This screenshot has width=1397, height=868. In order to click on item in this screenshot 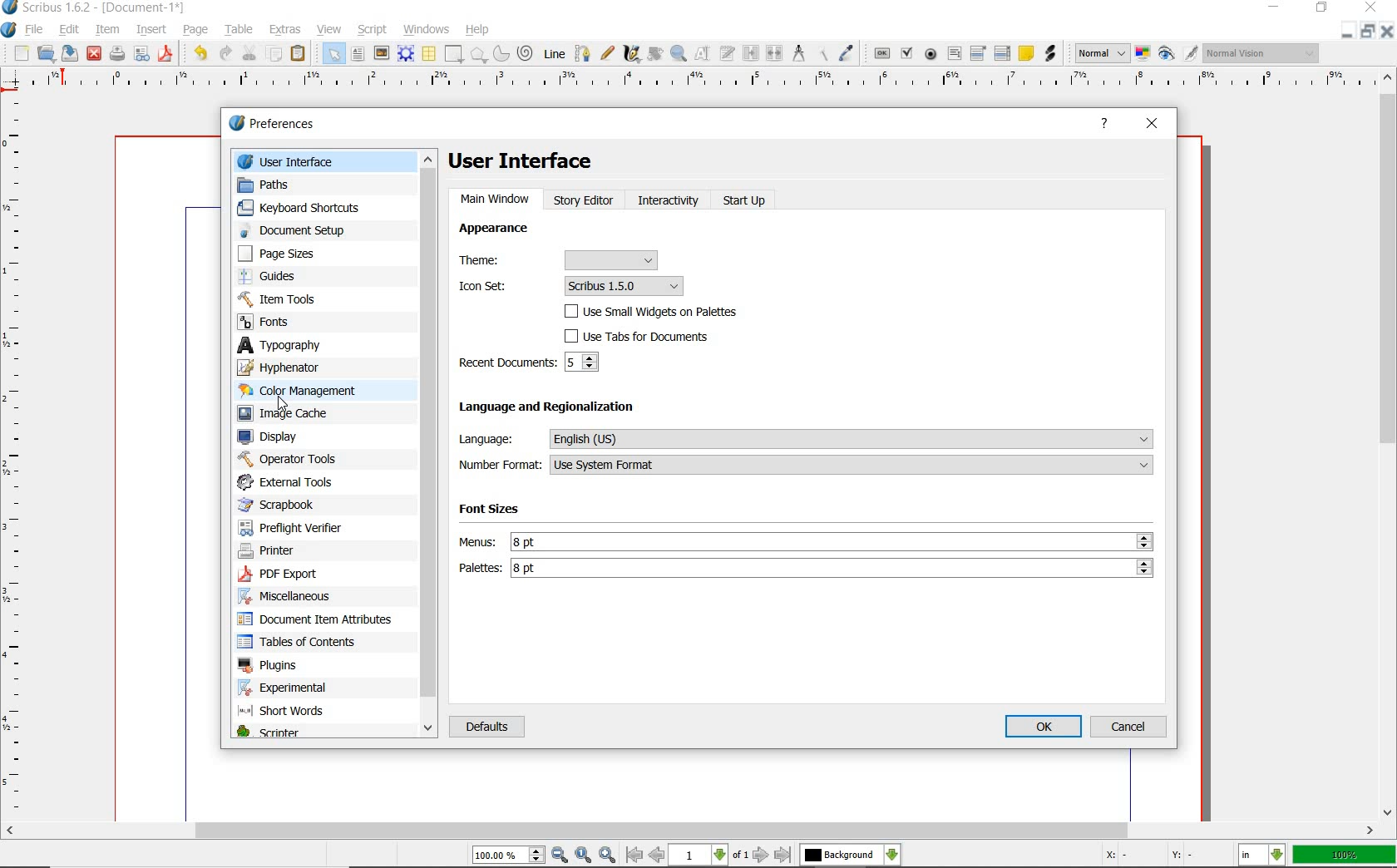, I will do `click(108, 29)`.